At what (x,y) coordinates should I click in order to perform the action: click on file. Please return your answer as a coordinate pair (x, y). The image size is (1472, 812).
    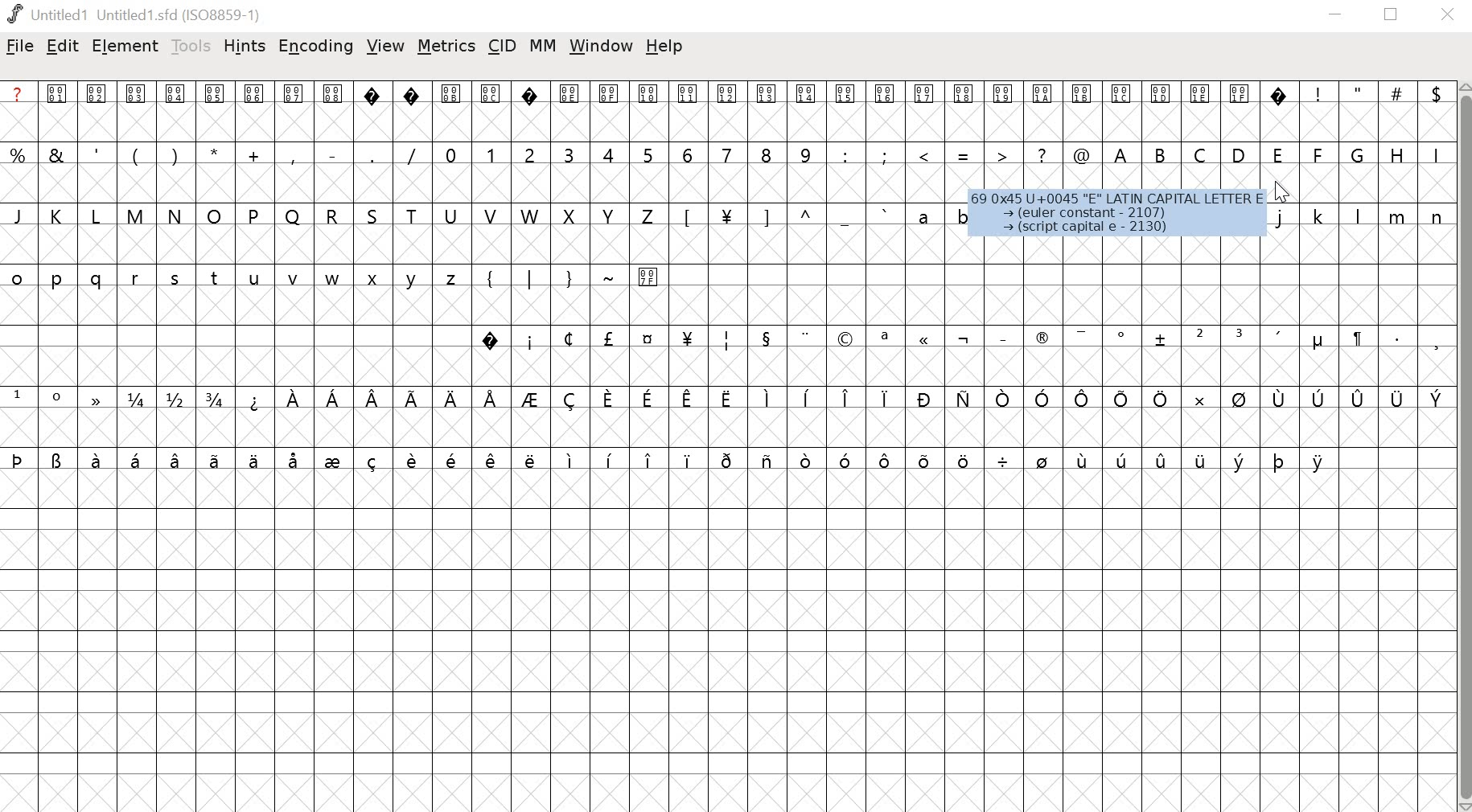
    Looking at the image, I should click on (20, 47).